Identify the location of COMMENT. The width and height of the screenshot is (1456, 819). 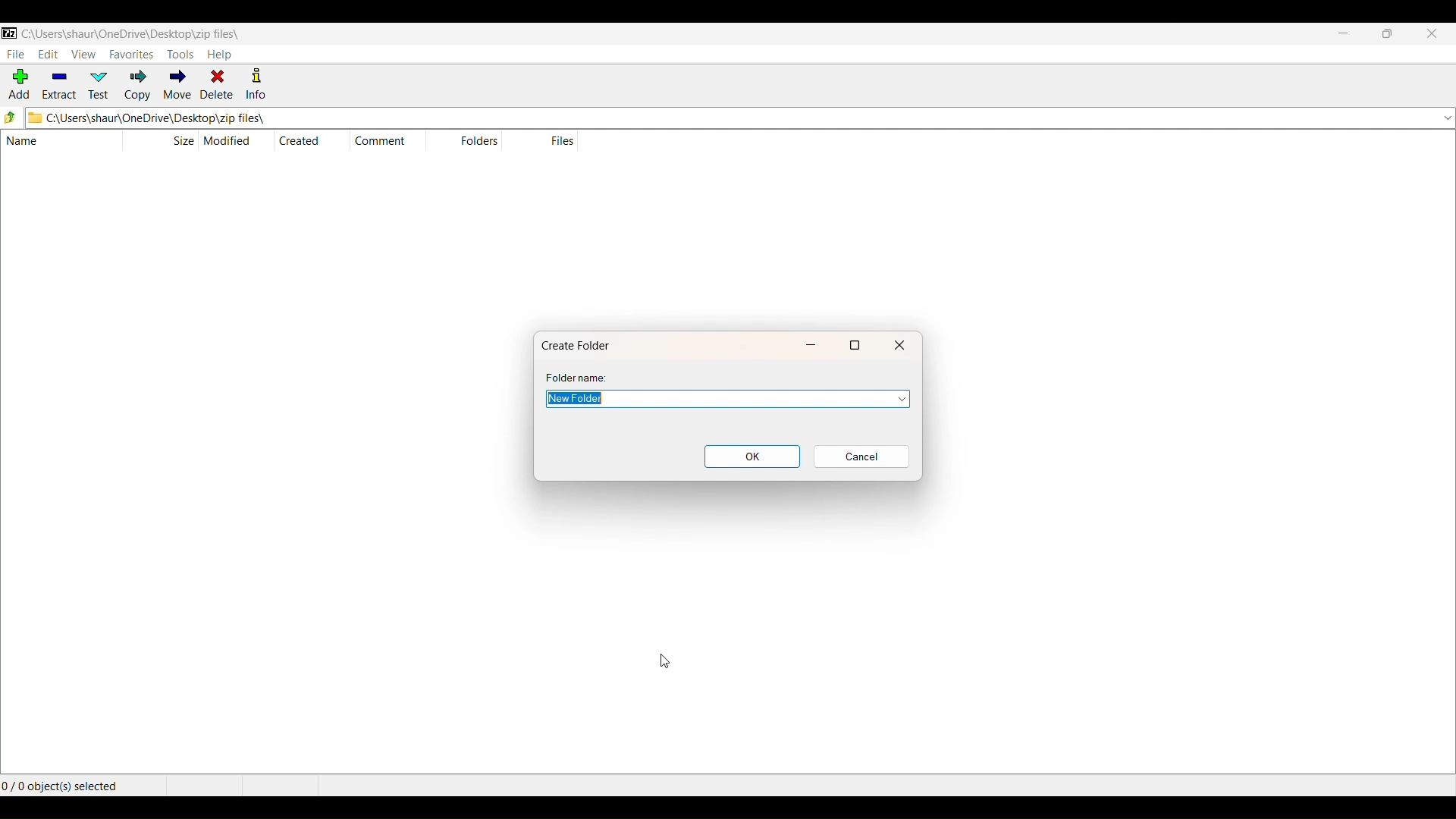
(385, 141).